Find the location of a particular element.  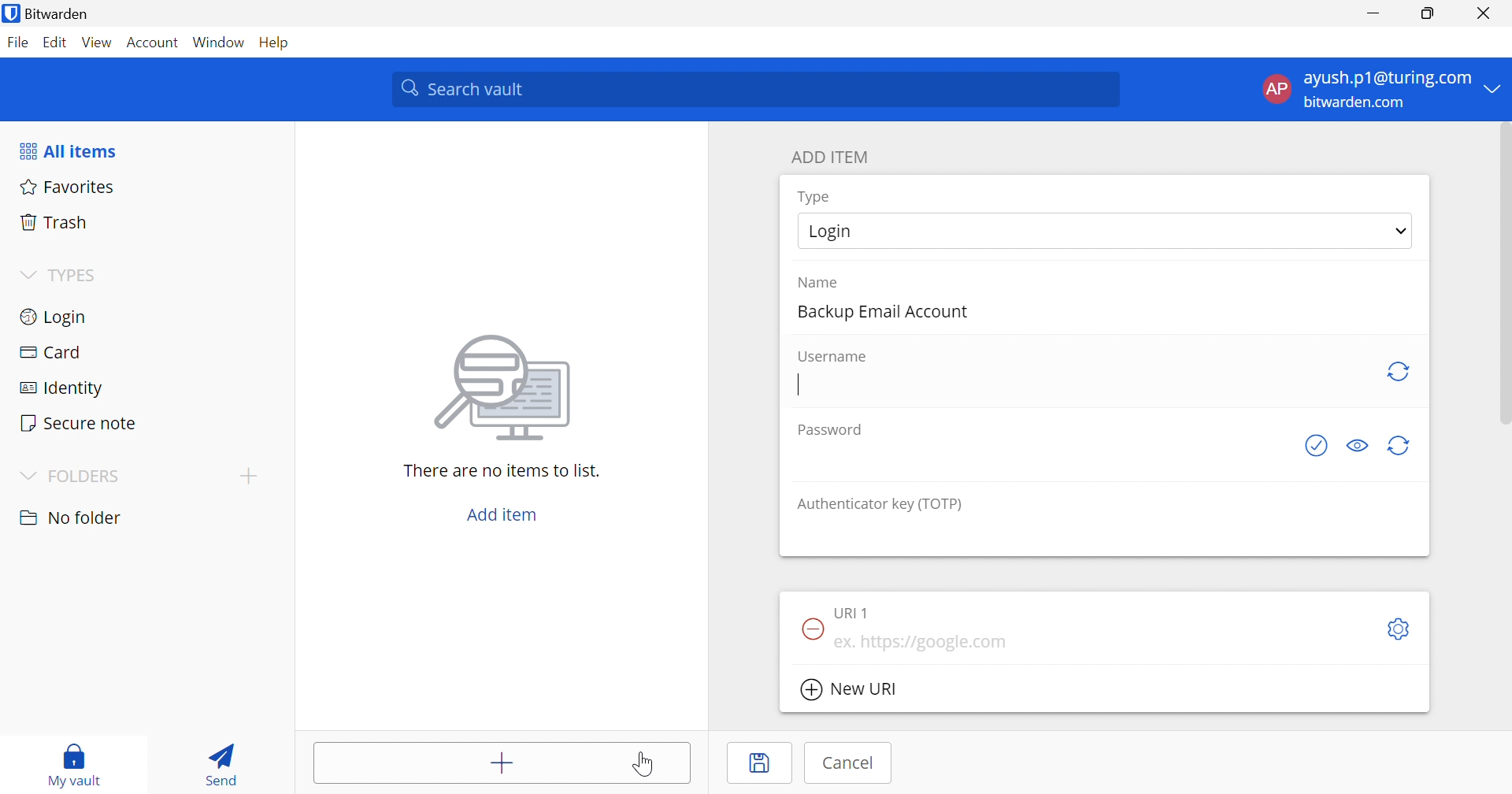

Cancel is located at coordinates (849, 763).